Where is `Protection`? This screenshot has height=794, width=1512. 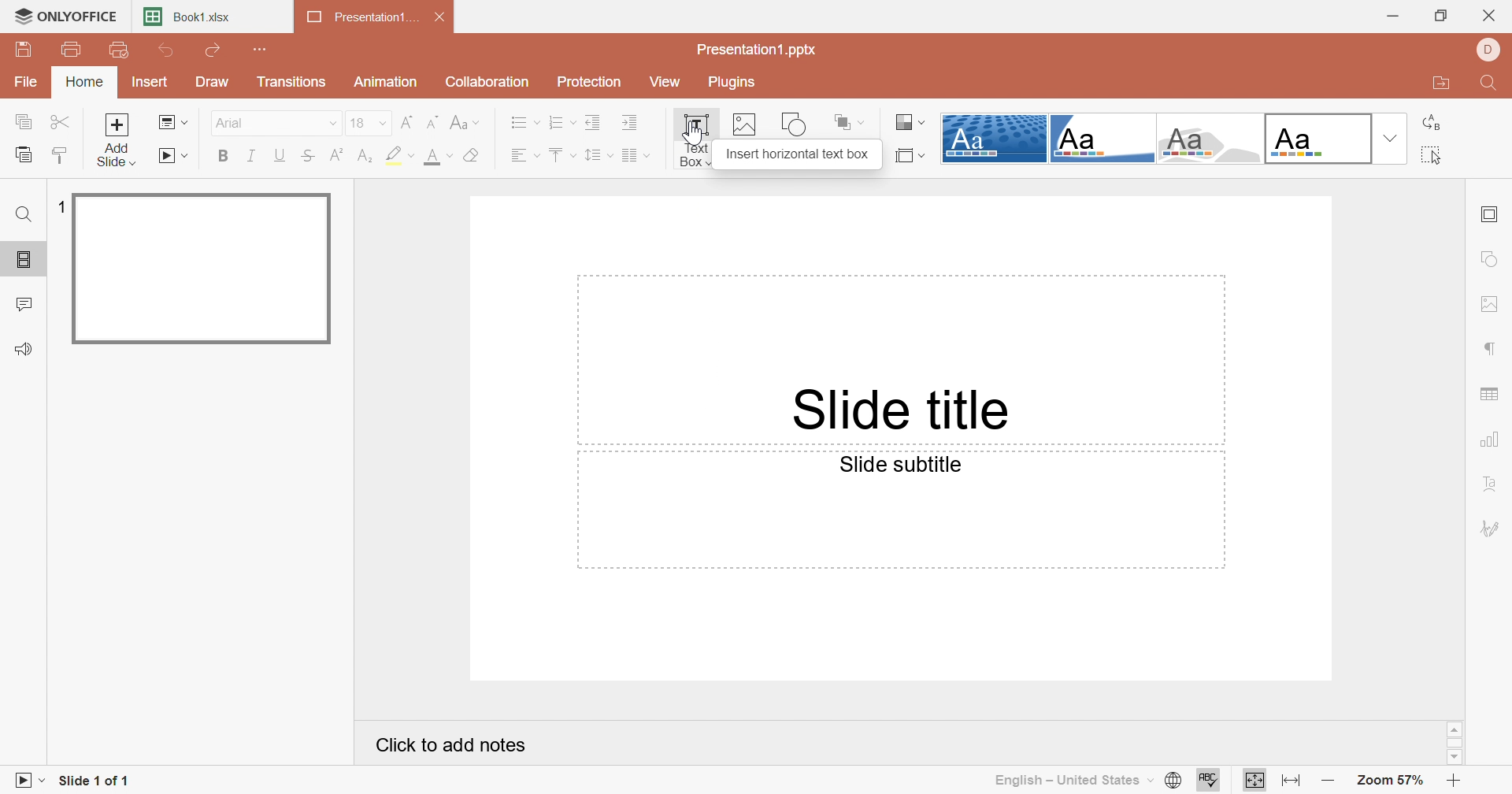
Protection is located at coordinates (591, 81).